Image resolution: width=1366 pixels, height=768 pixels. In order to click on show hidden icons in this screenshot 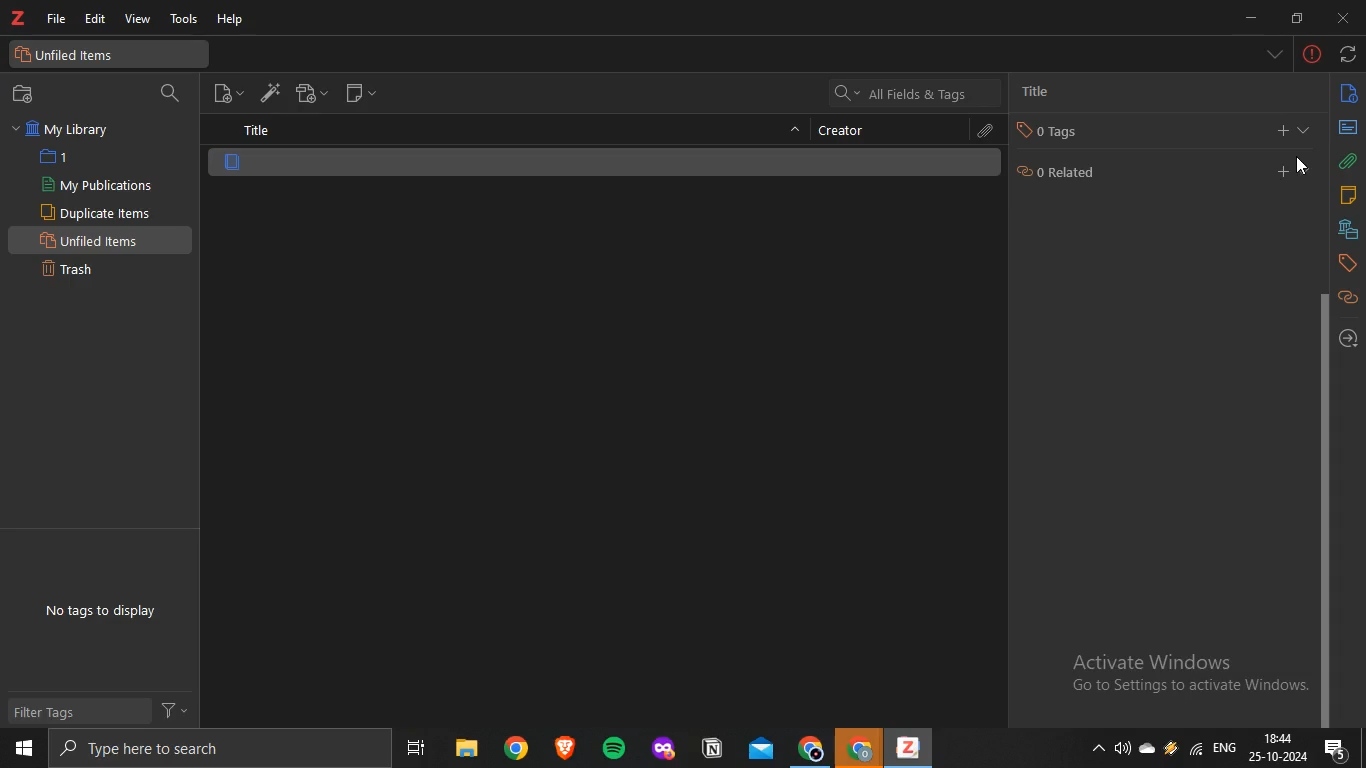, I will do `click(1093, 748)`.